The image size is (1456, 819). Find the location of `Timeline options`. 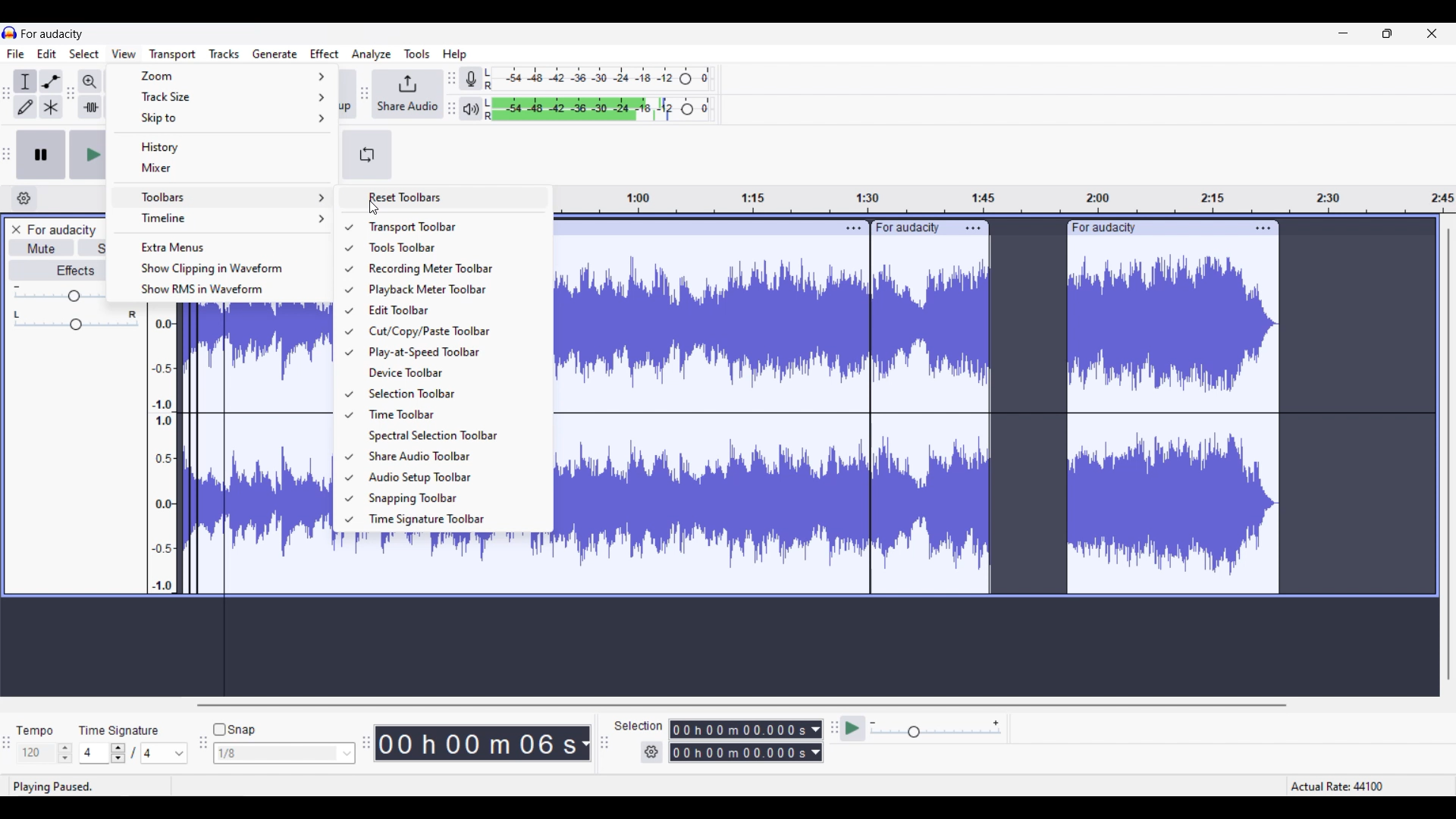

Timeline options is located at coordinates (224, 219).